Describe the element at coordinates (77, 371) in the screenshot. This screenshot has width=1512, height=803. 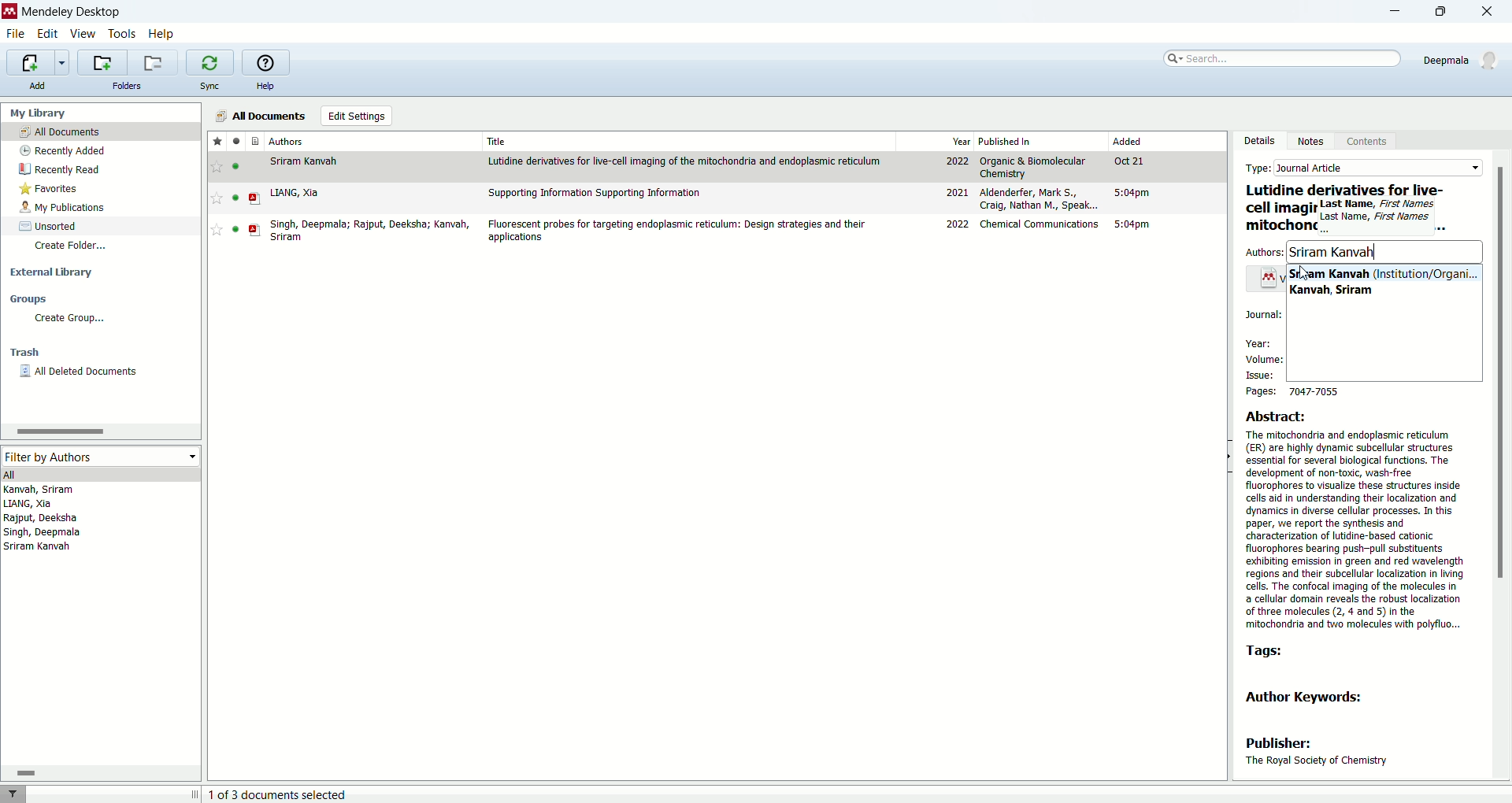
I see `all deleted documents` at that location.